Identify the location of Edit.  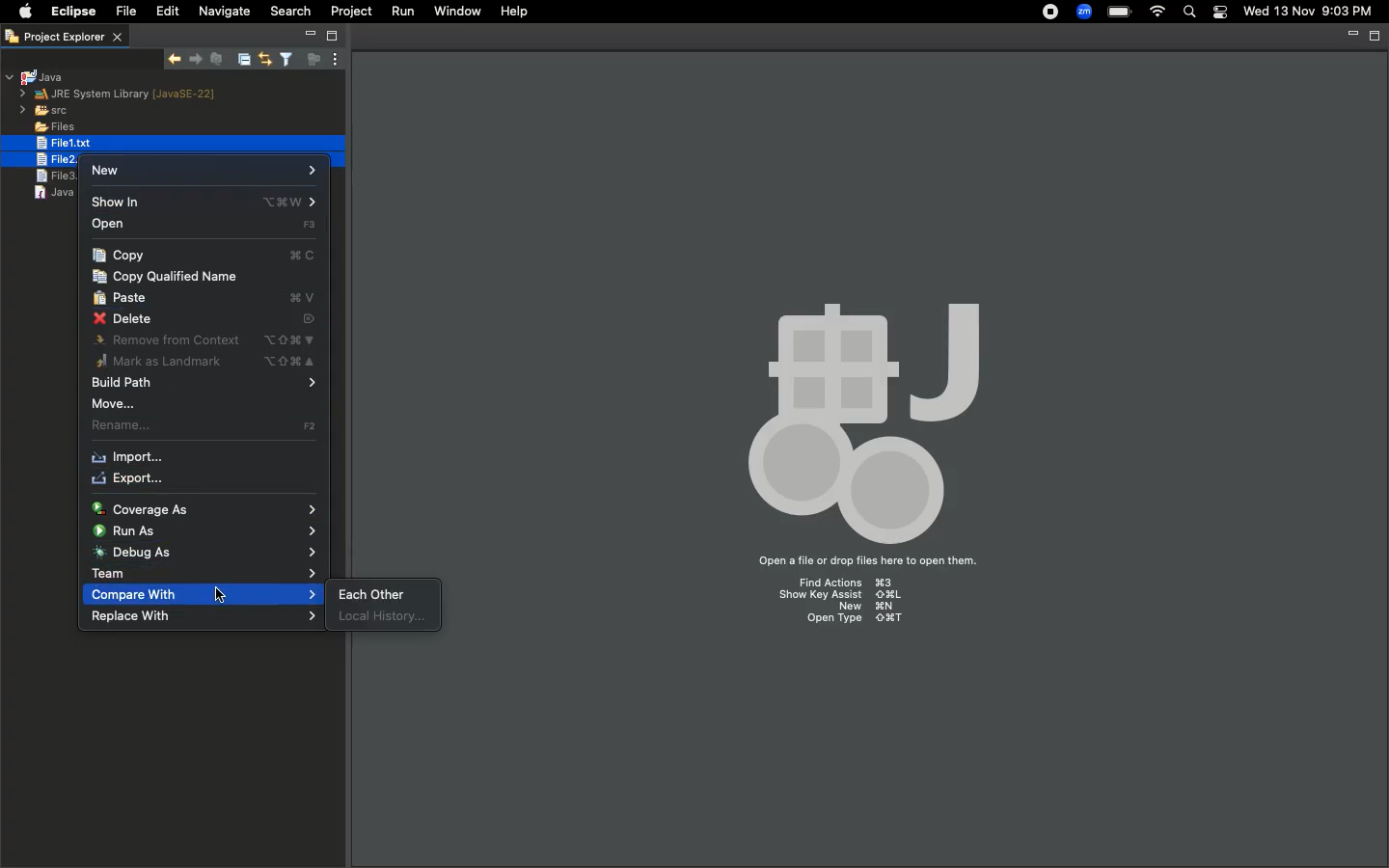
(164, 11).